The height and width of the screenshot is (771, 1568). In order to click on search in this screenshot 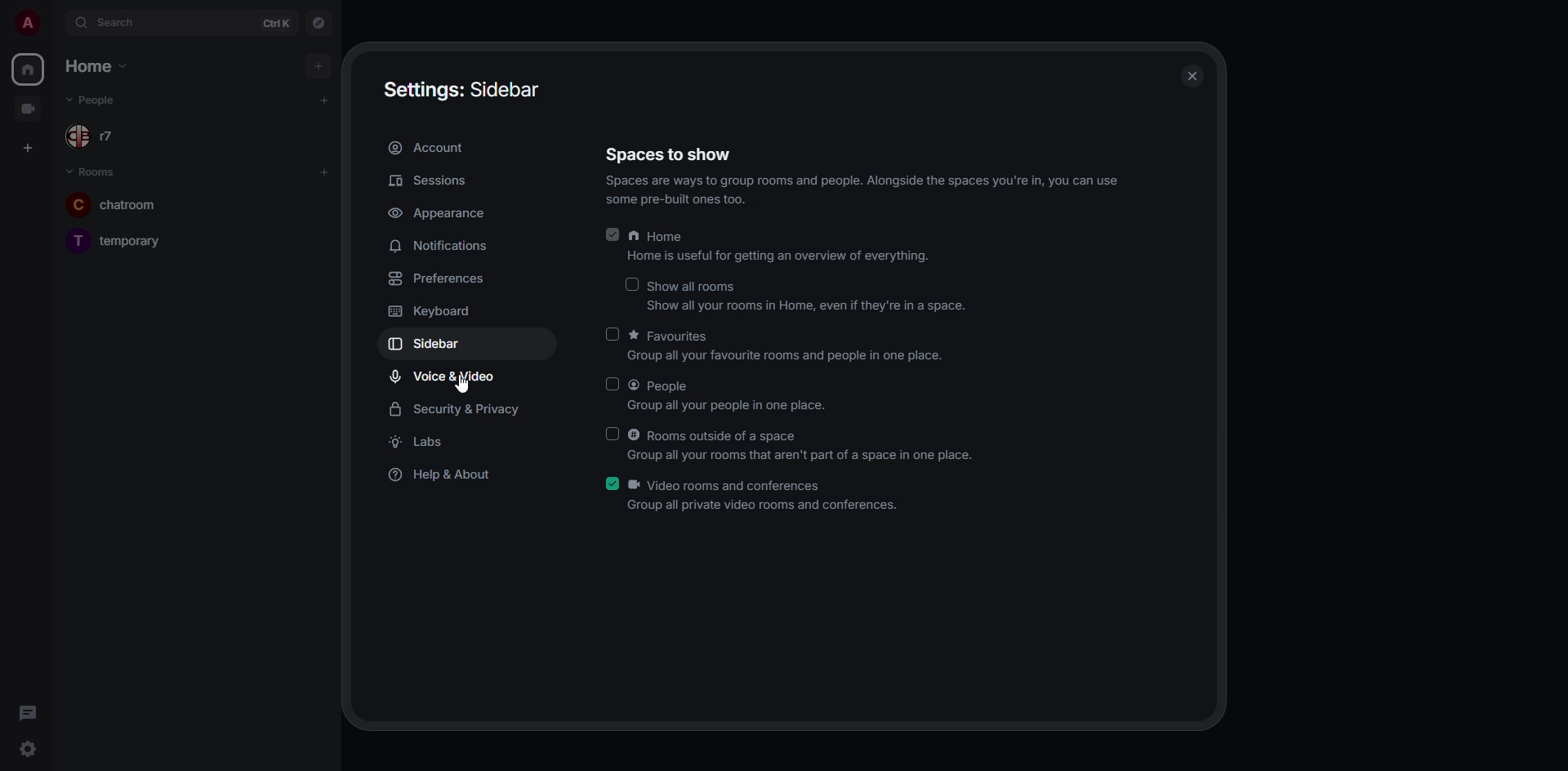, I will do `click(114, 23)`.